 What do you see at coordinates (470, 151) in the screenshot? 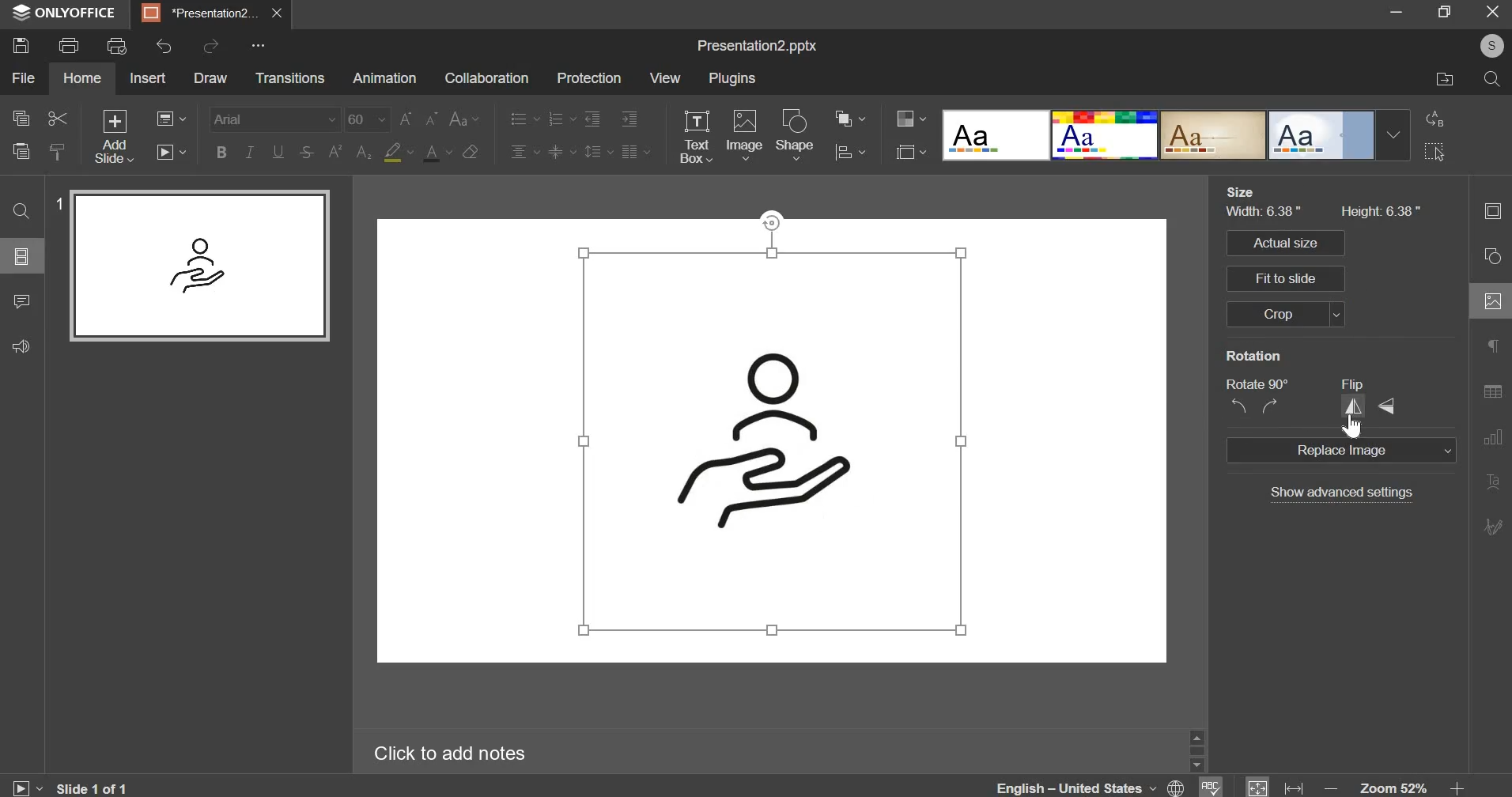
I see `clear style` at bounding box center [470, 151].